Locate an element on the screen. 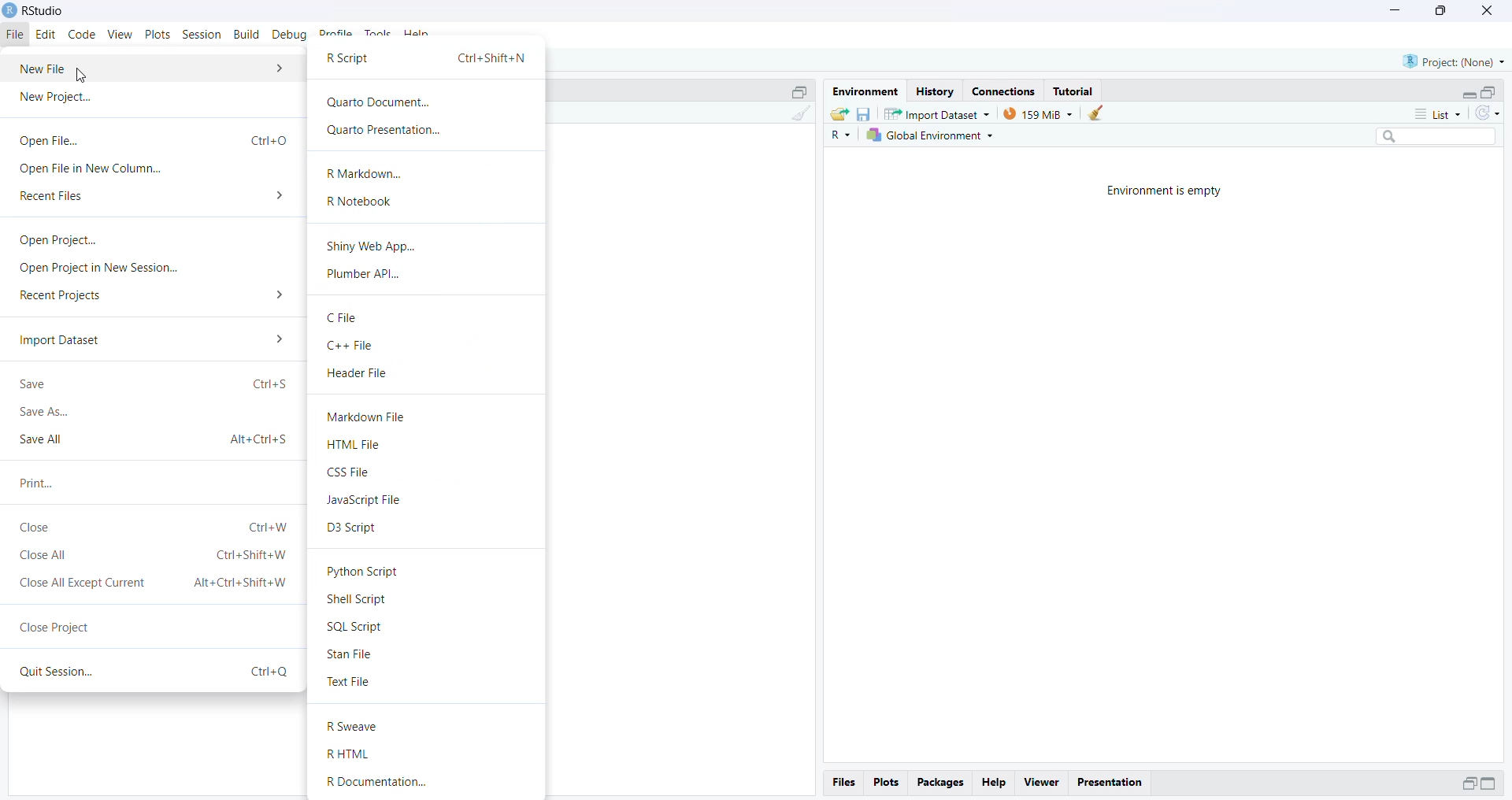 This screenshot has width=1512, height=800. Plumber API... is located at coordinates (368, 276).